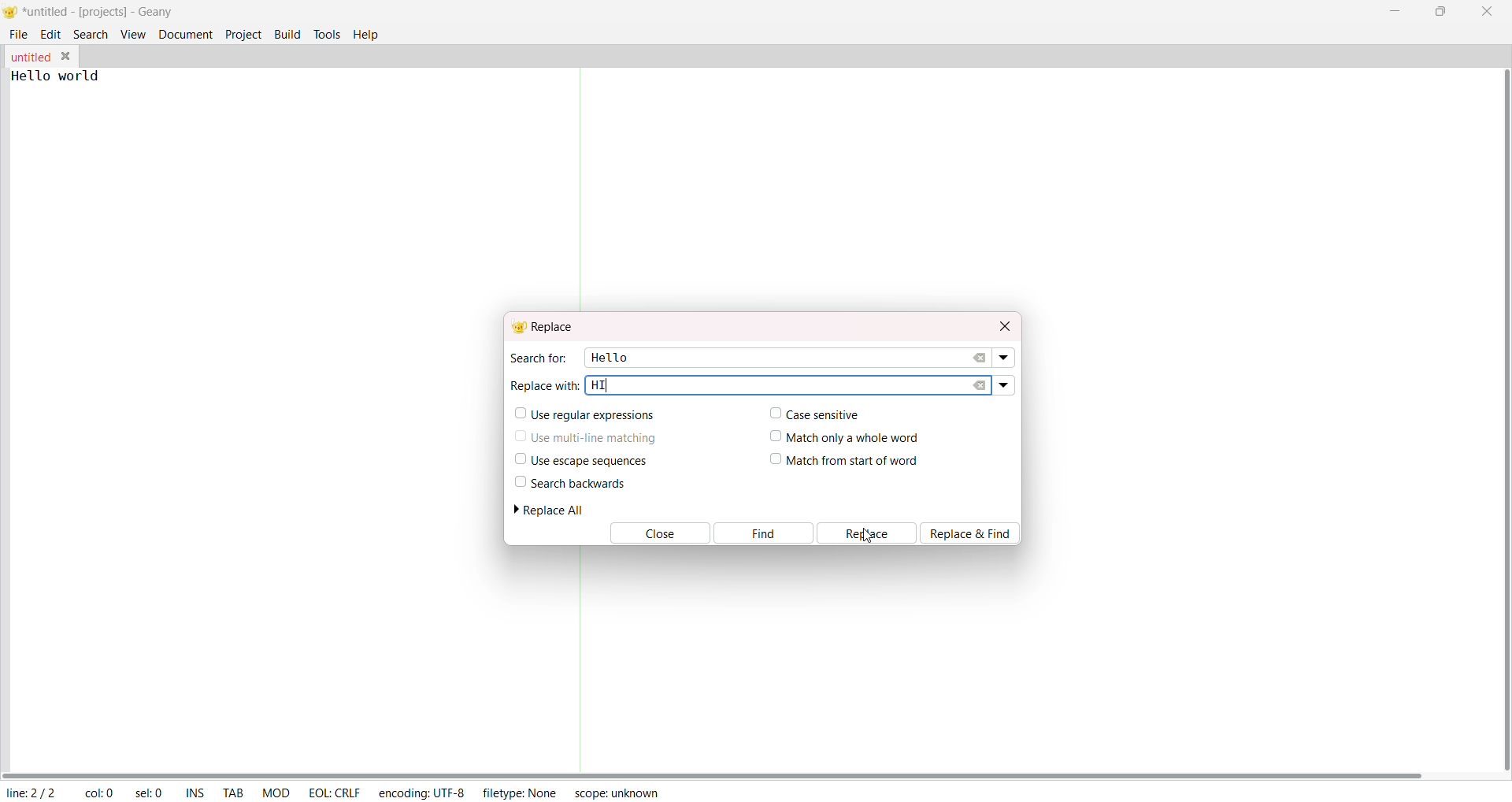 This screenshot has width=1512, height=802. What do you see at coordinates (287, 32) in the screenshot?
I see `build` at bounding box center [287, 32].